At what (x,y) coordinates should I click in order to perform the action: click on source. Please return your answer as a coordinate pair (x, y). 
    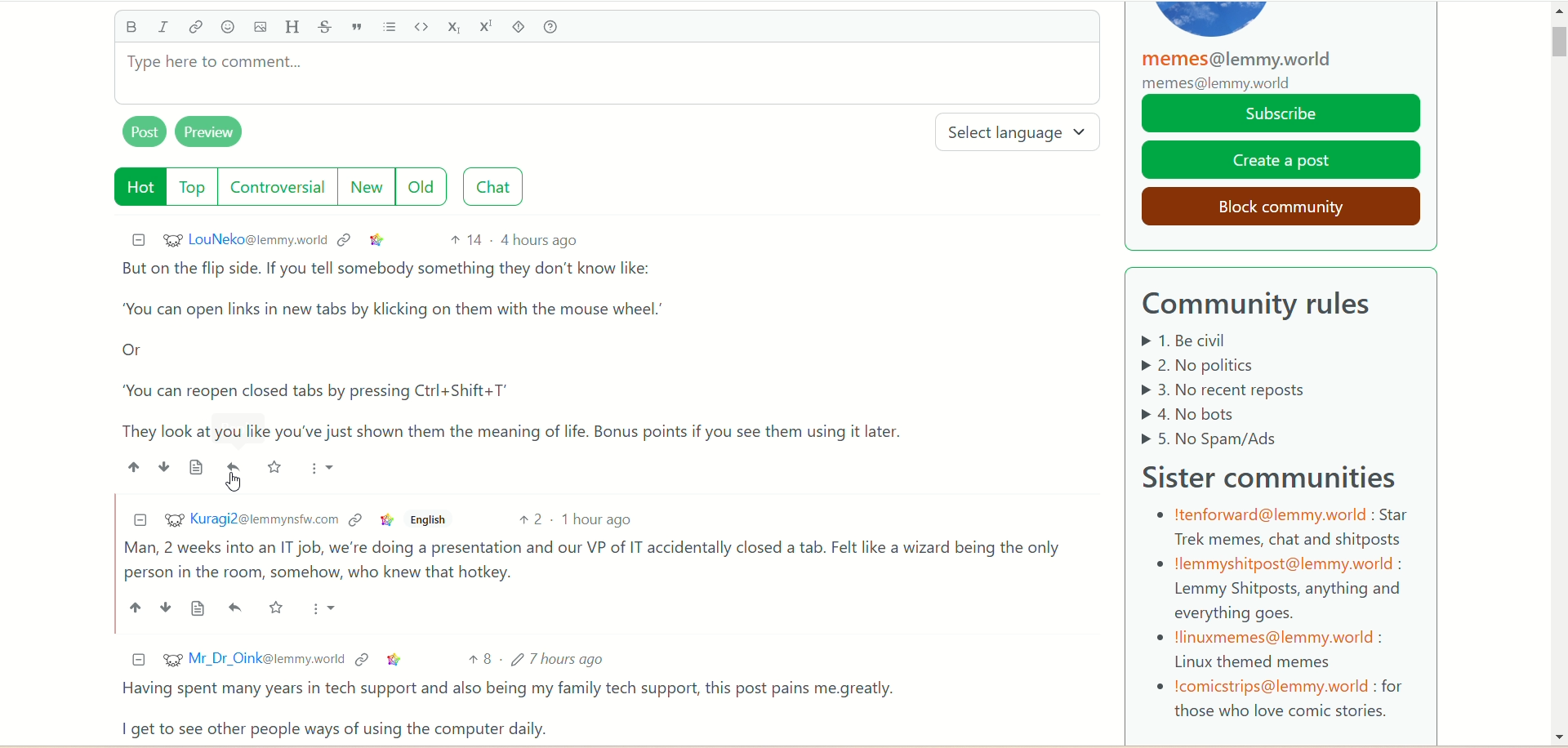
    Looking at the image, I should click on (203, 610).